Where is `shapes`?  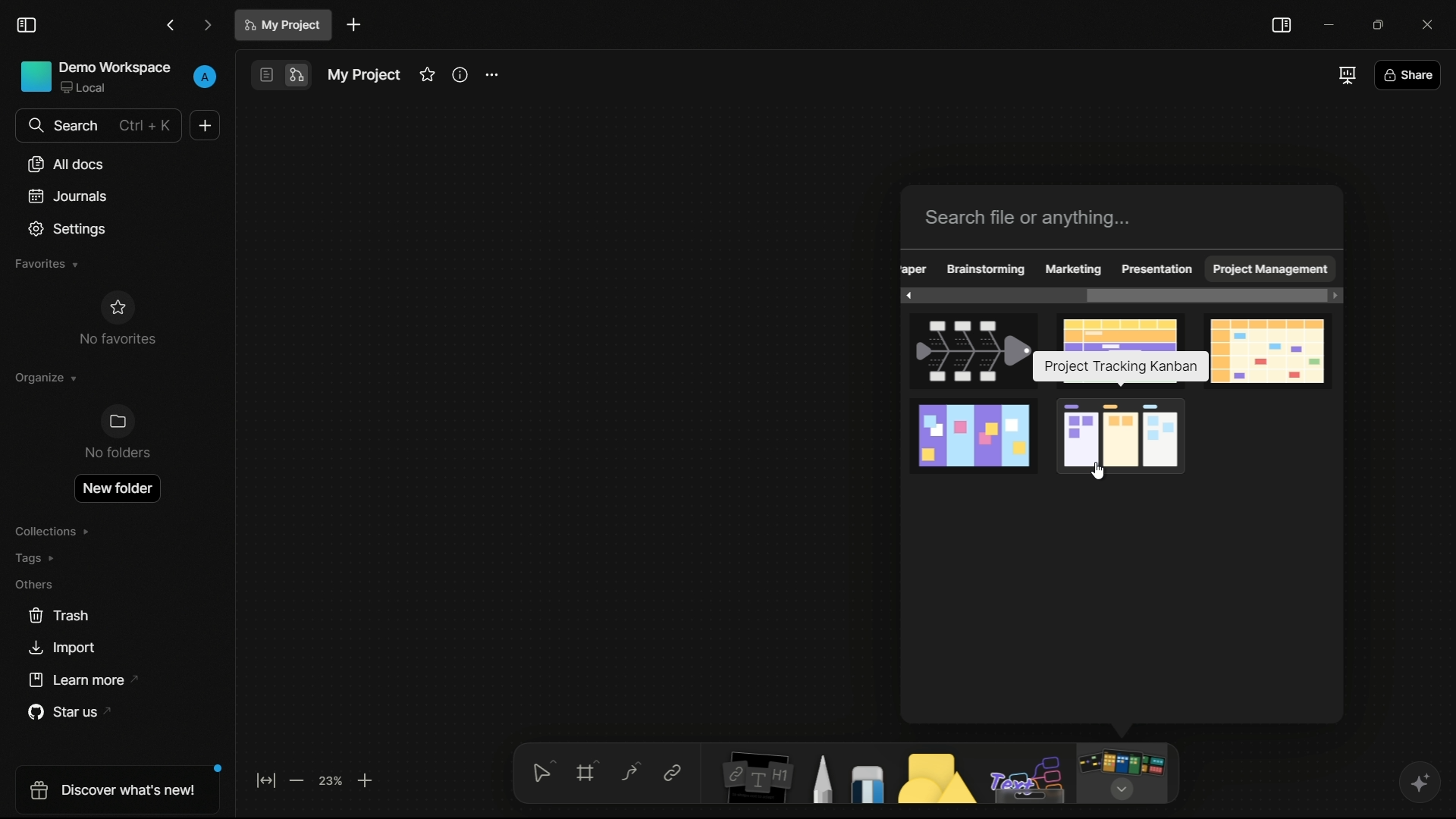 shapes is located at coordinates (934, 777).